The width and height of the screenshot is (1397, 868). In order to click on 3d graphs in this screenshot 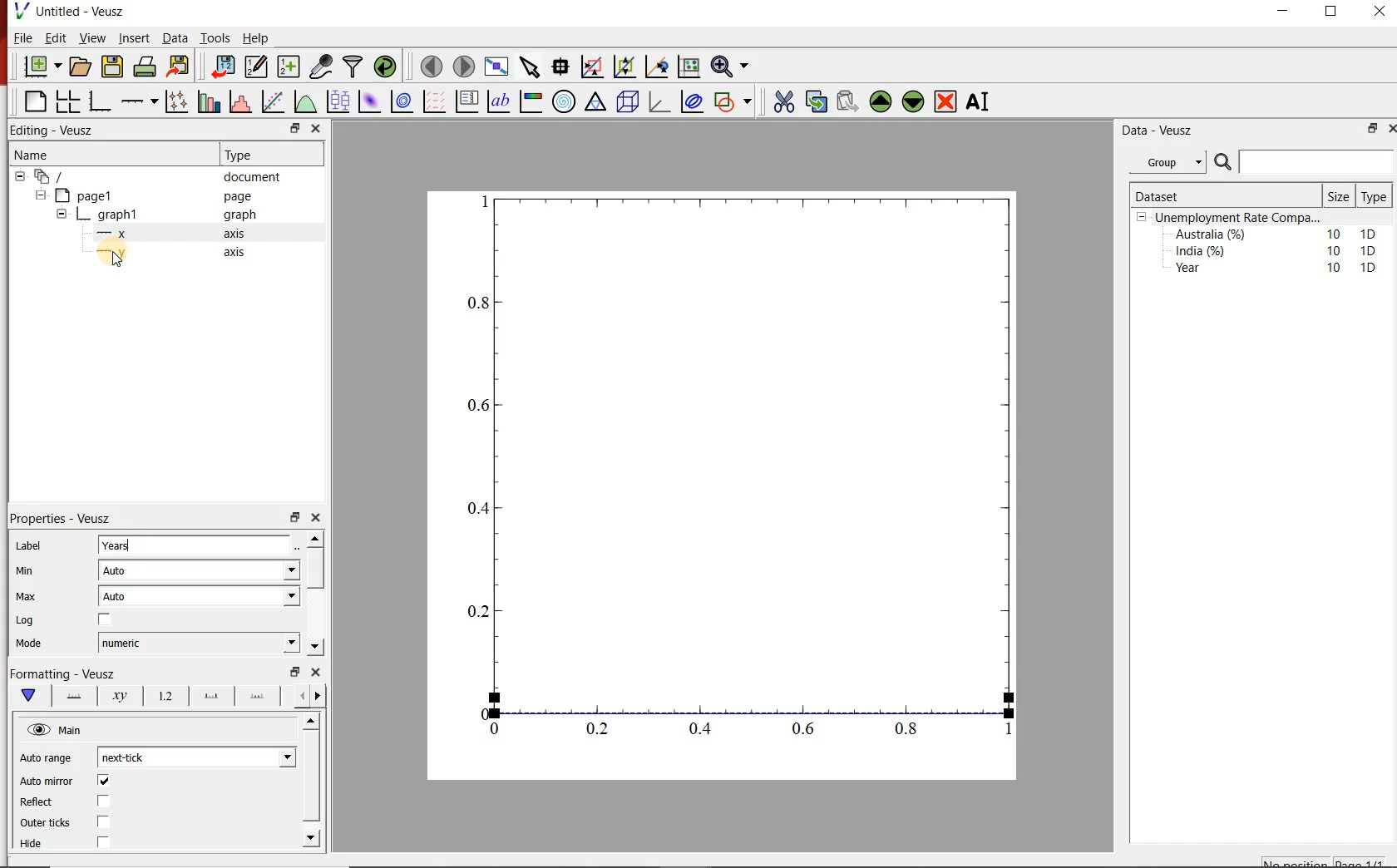, I will do `click(659, 101)`.